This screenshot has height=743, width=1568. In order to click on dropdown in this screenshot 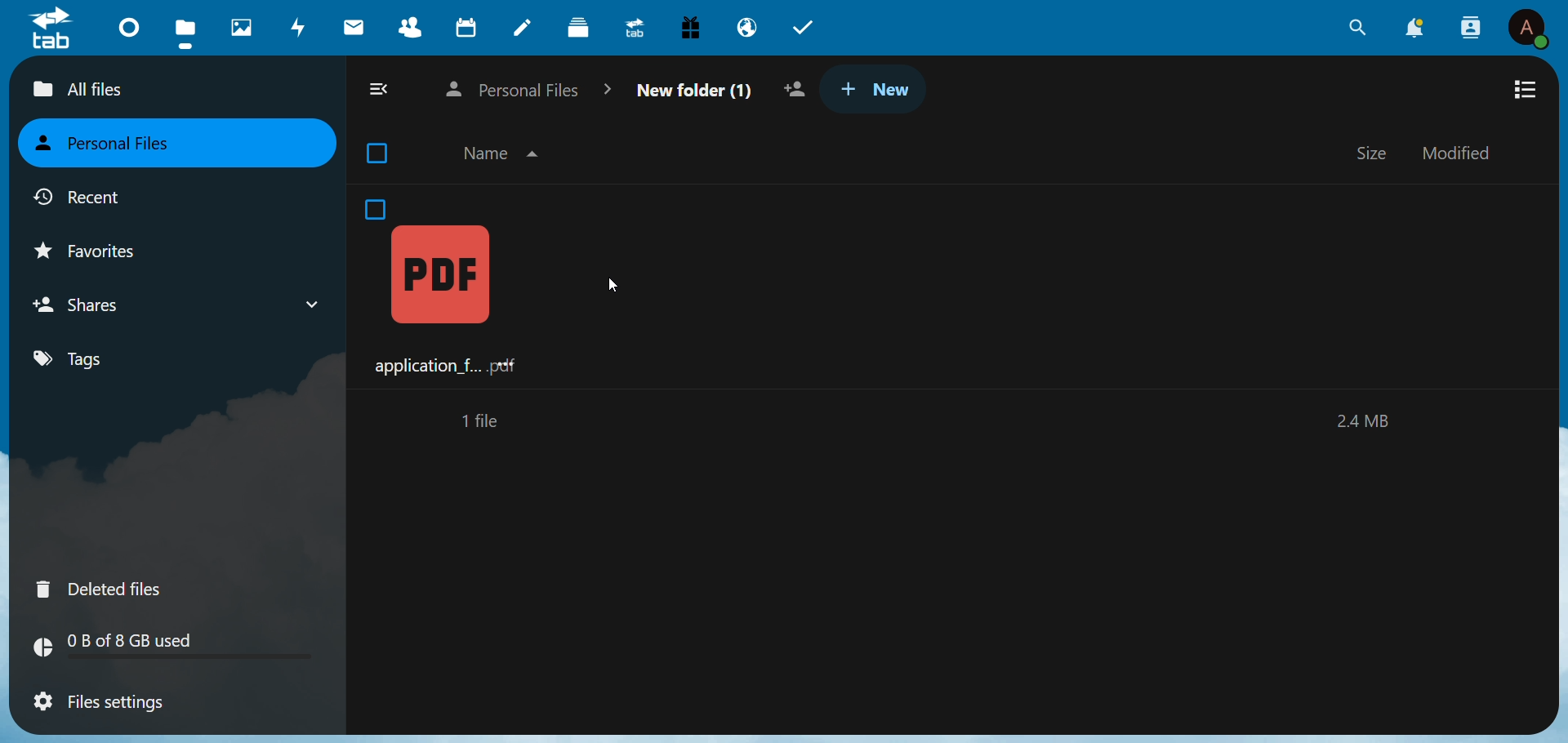, I will do `click(313, 305)`.